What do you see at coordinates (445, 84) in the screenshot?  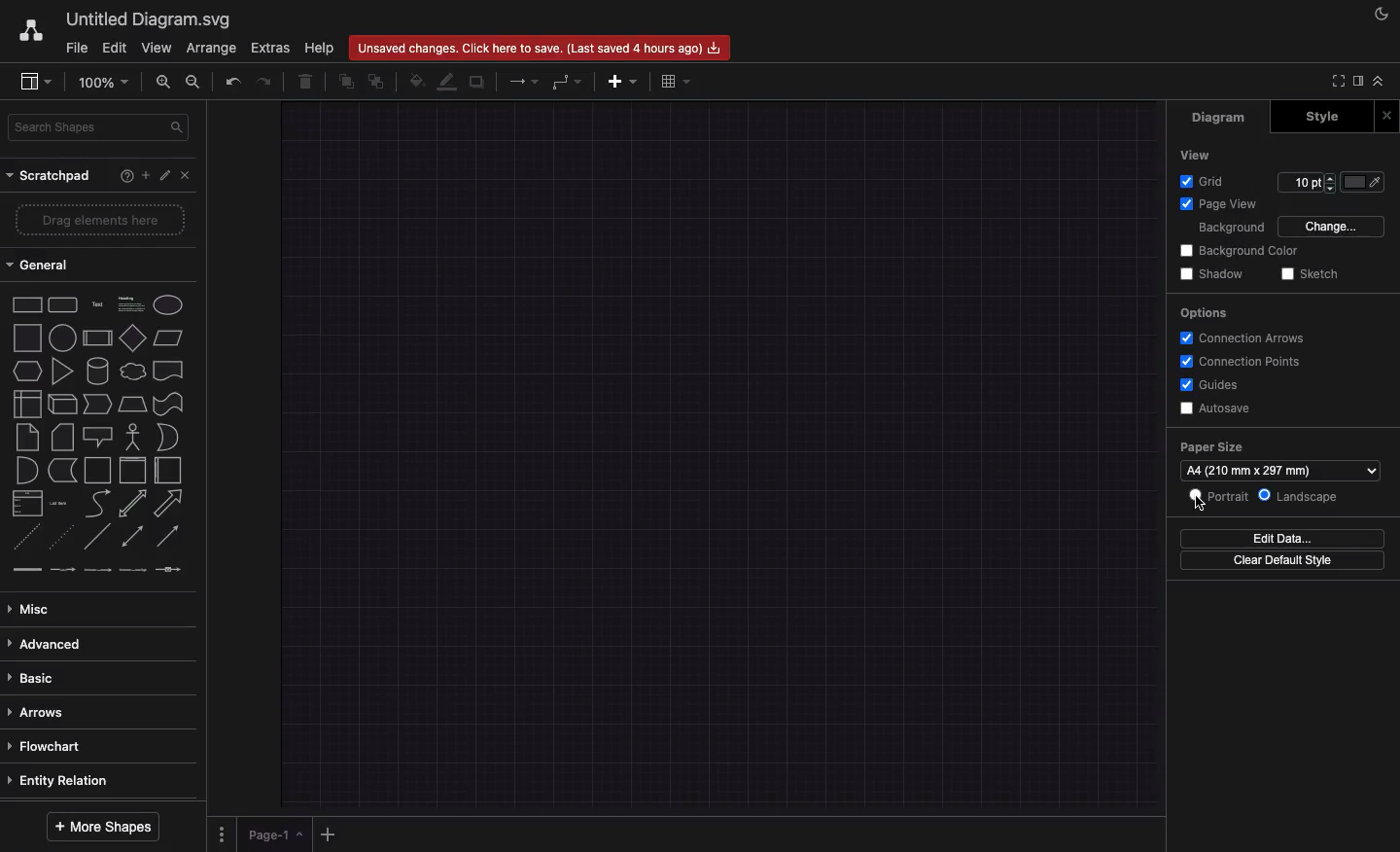 I see `Line color` at bounding box center [445, 84].